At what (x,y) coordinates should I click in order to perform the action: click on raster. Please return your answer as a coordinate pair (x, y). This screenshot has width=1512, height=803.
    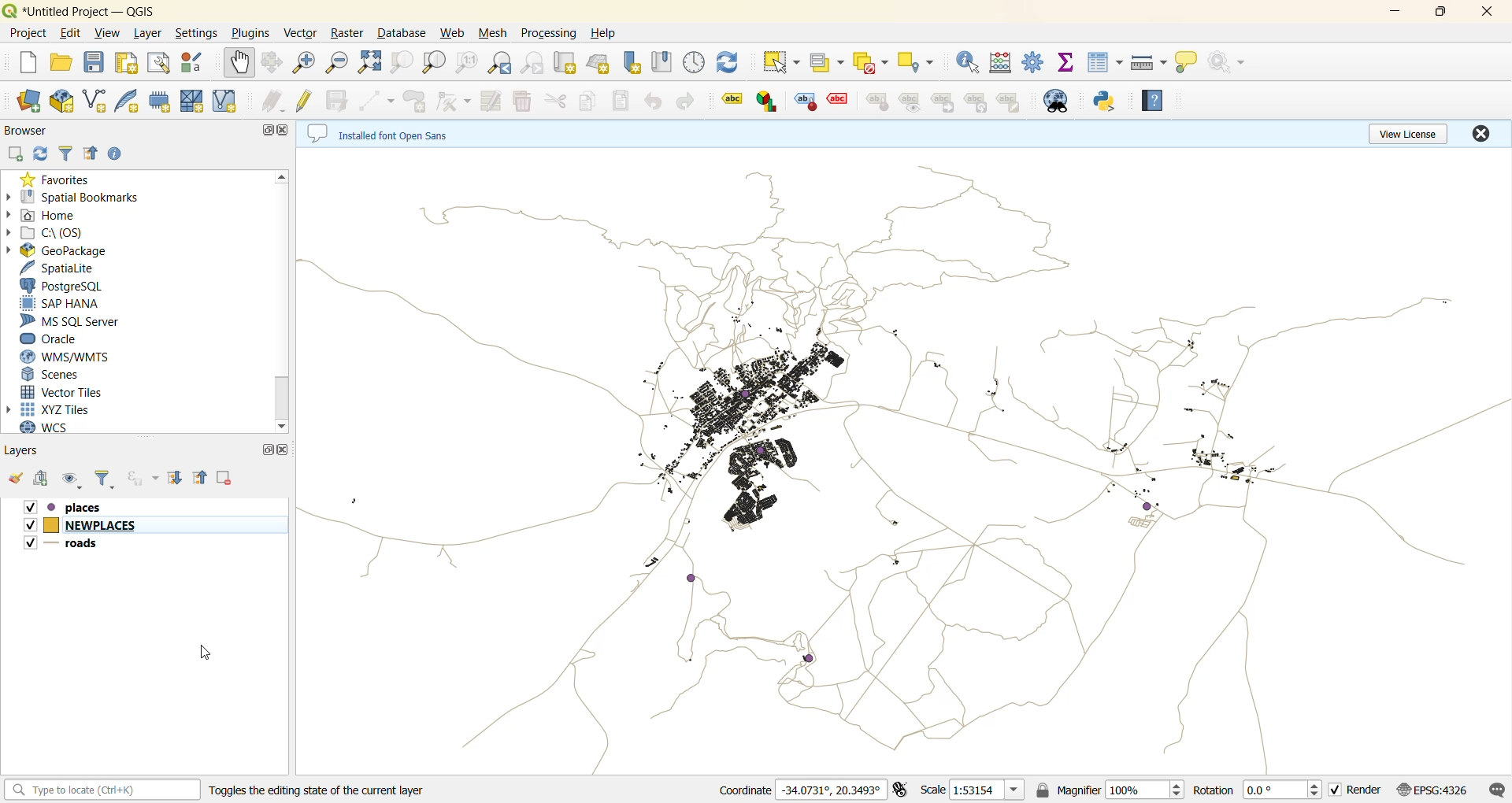
    Looking at the image, I should click on (350, 32).